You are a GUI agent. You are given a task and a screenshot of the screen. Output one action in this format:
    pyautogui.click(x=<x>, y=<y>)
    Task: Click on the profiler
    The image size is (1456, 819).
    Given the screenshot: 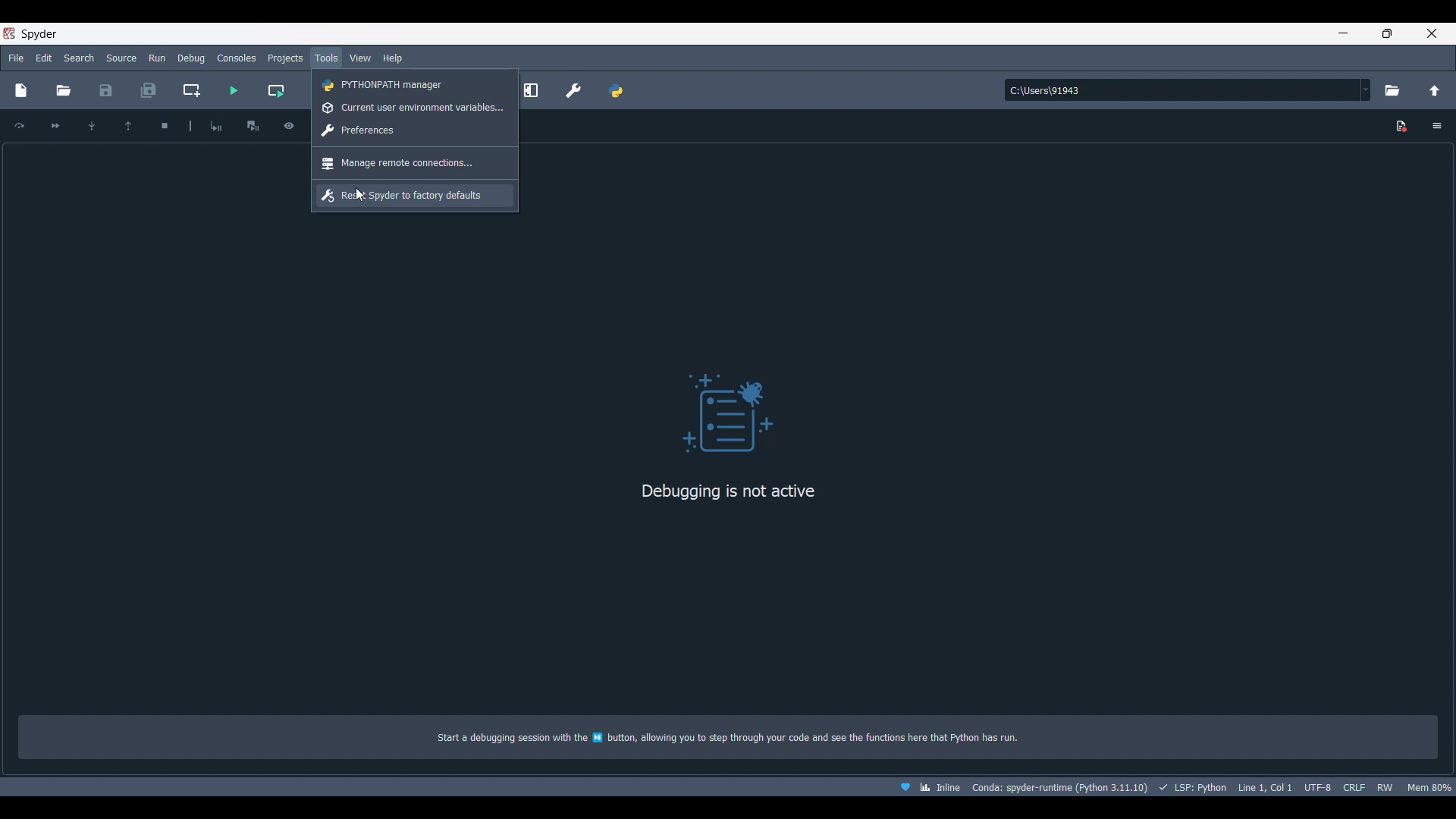 What is the action you would take?
    pyautogui.click(x=289, y=124)
    